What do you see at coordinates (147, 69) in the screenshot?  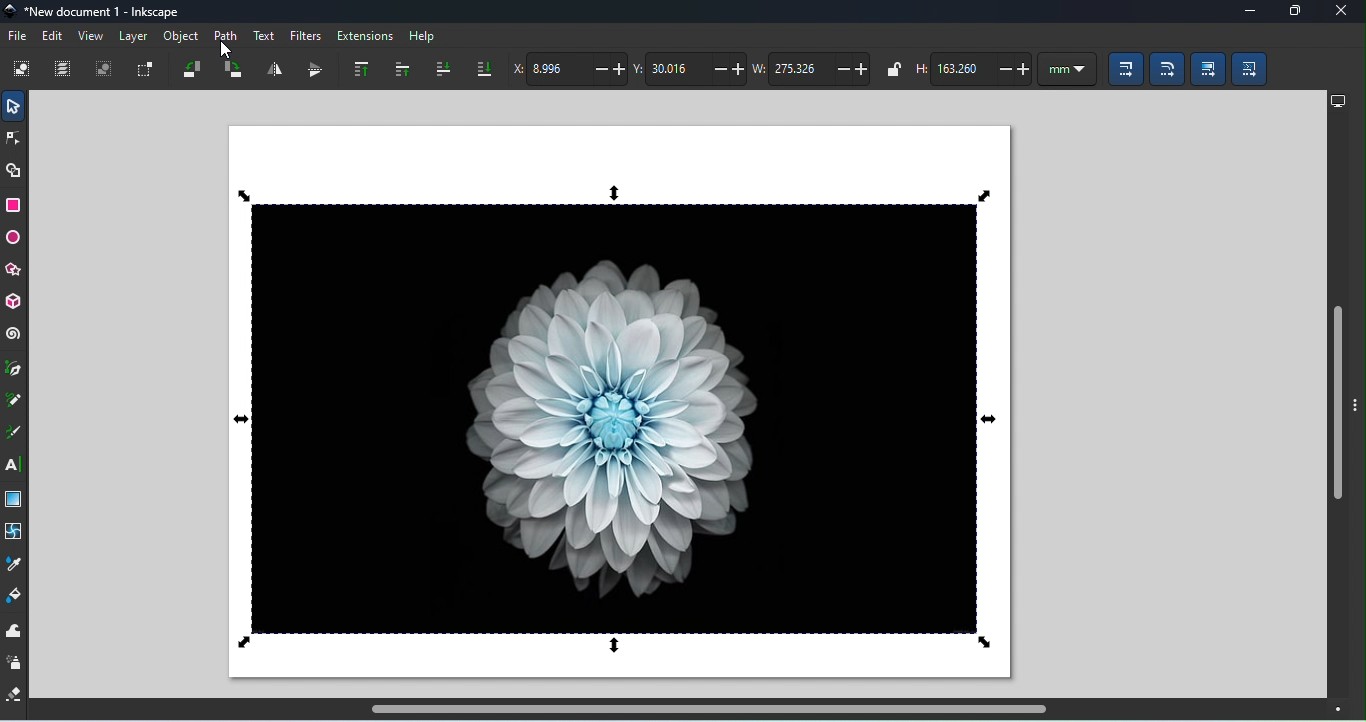 I see `Toggle selection box to select all touched objects` at bounding box center [147, 69].